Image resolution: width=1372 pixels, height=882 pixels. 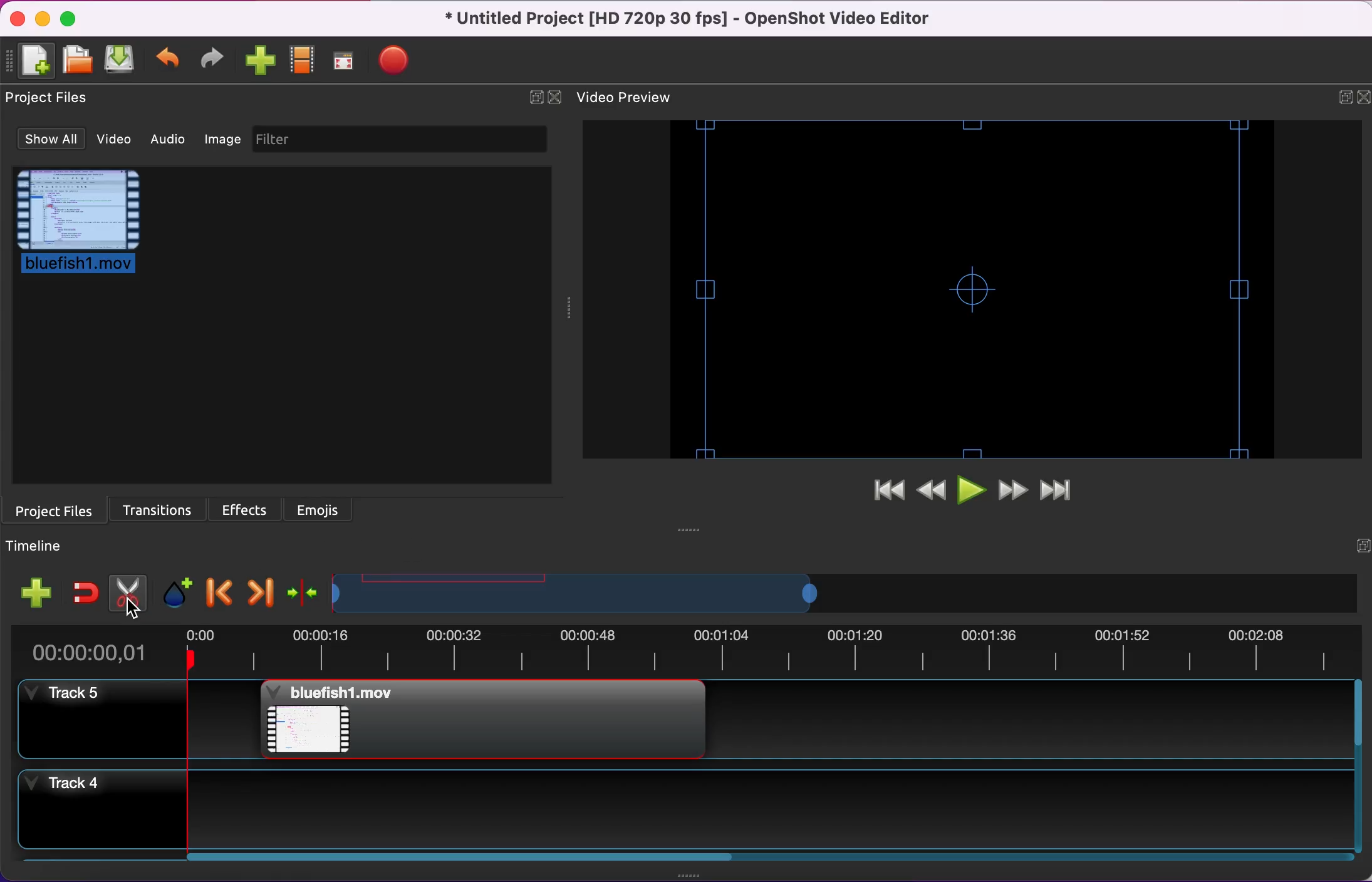 I want to click on close, so click(x=16, y=18).